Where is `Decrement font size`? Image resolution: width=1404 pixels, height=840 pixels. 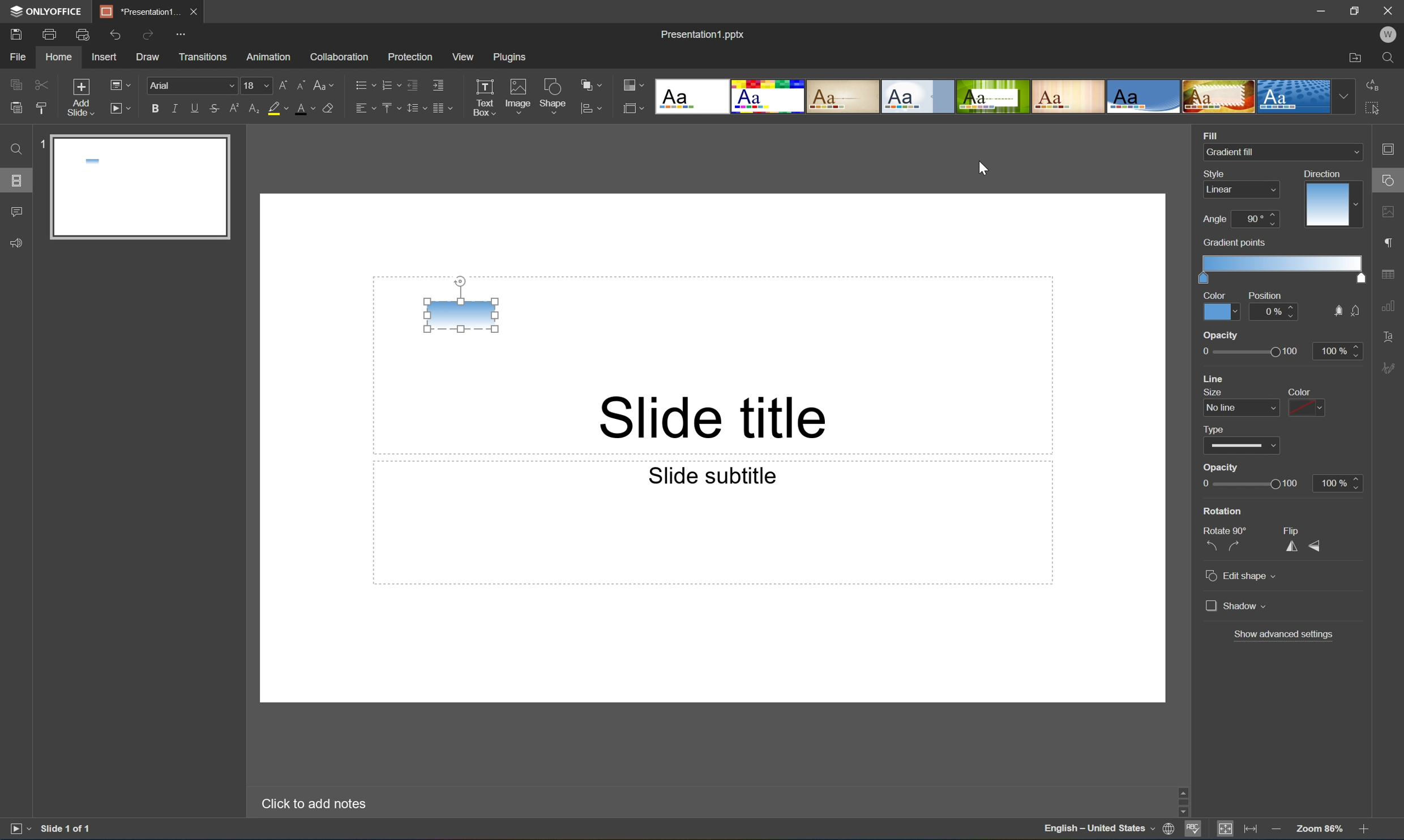 Decrement font size is located at coordinates (300, 83).